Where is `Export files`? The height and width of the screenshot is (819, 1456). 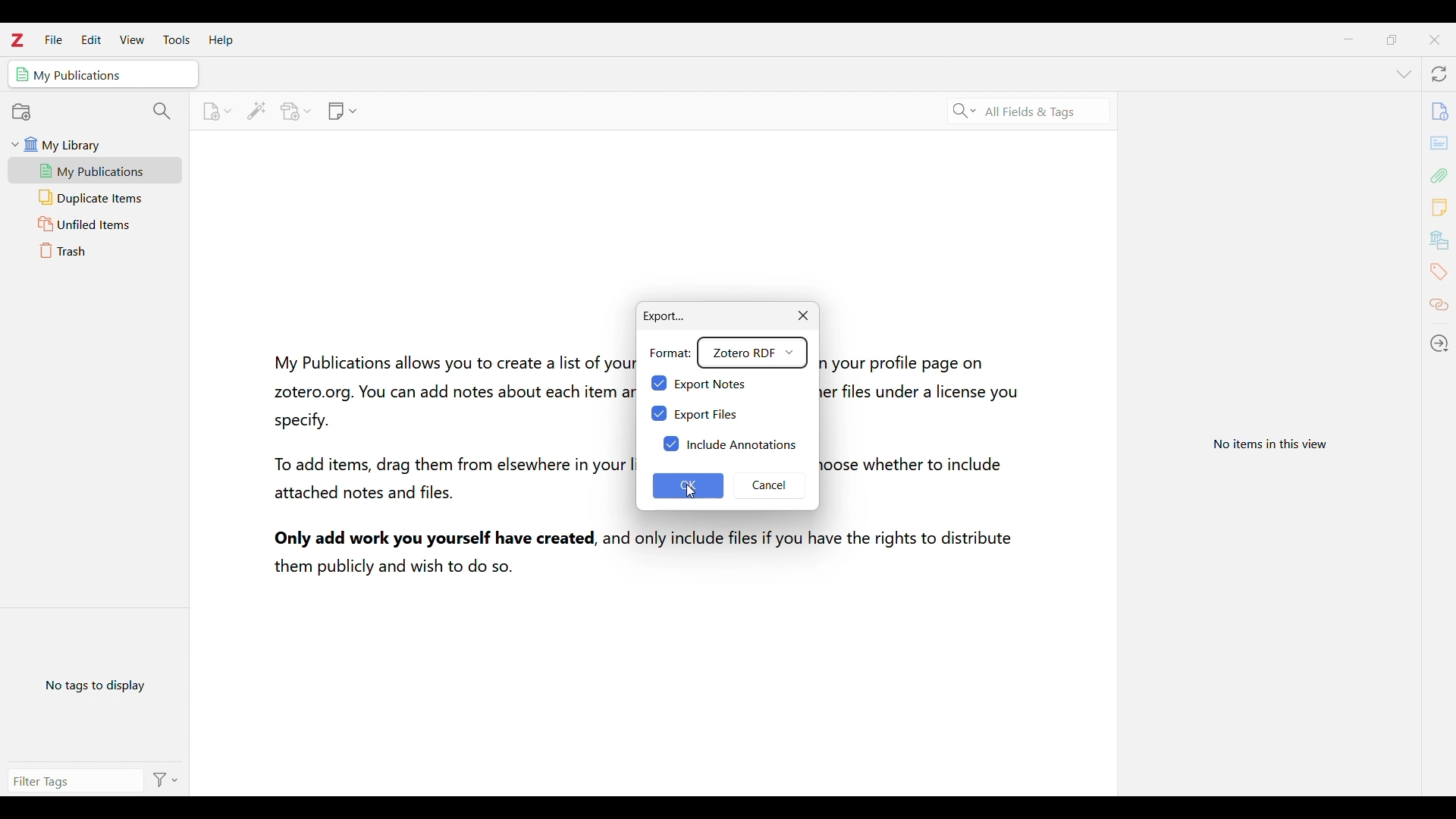
Export files is located at coordinates (702, 415).